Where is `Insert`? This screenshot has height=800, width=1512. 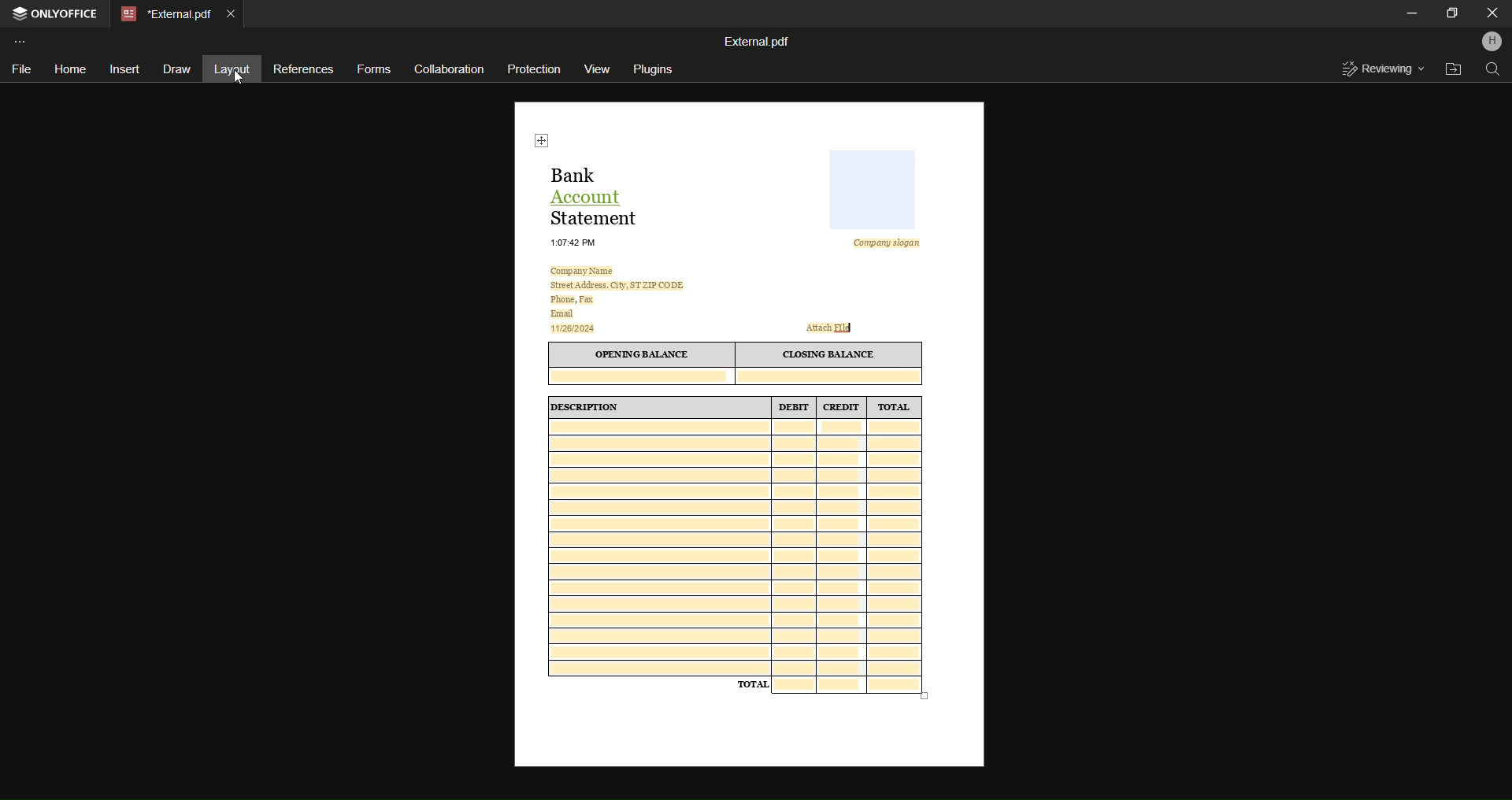
Insert is located at coordinates (130, 72).